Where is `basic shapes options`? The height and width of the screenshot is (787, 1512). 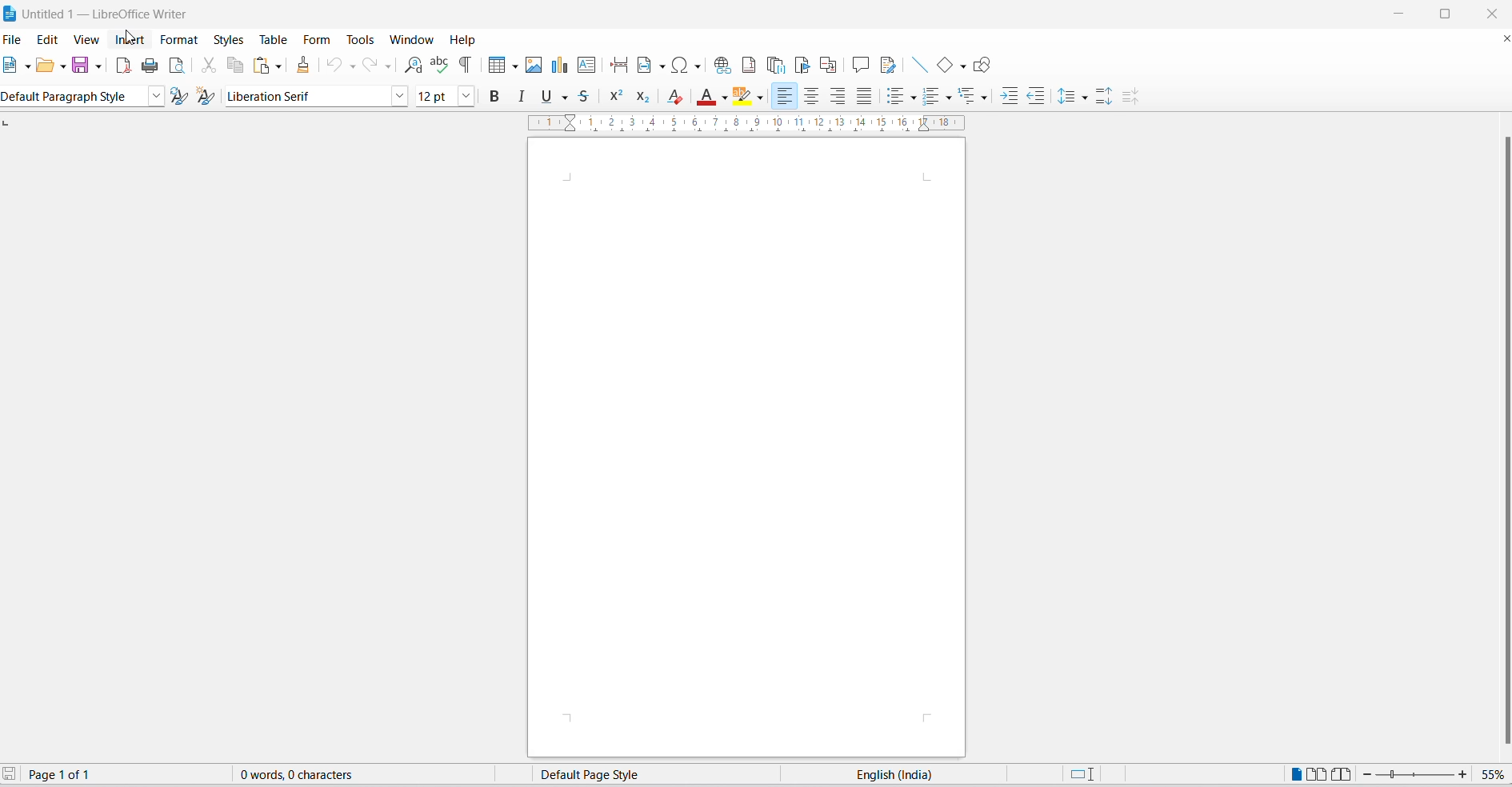 basic shapes options is located at coordinates (958, 66).